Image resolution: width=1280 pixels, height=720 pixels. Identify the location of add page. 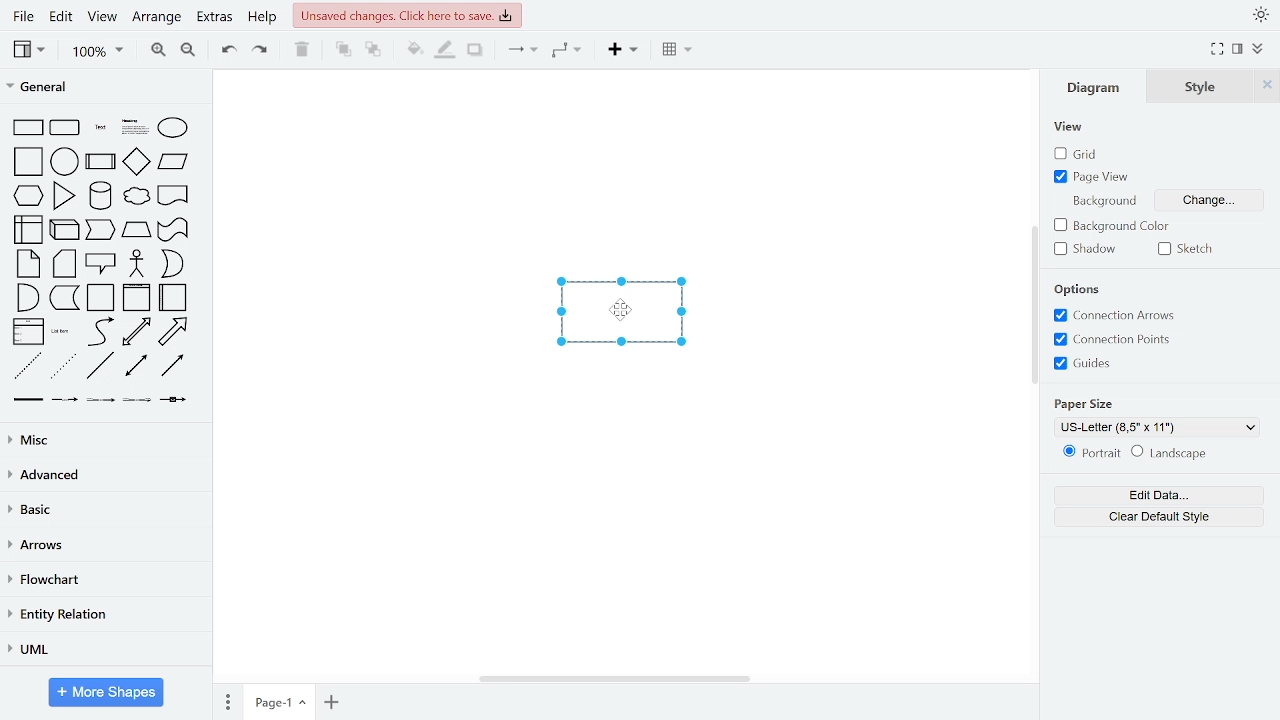
(330, 701).